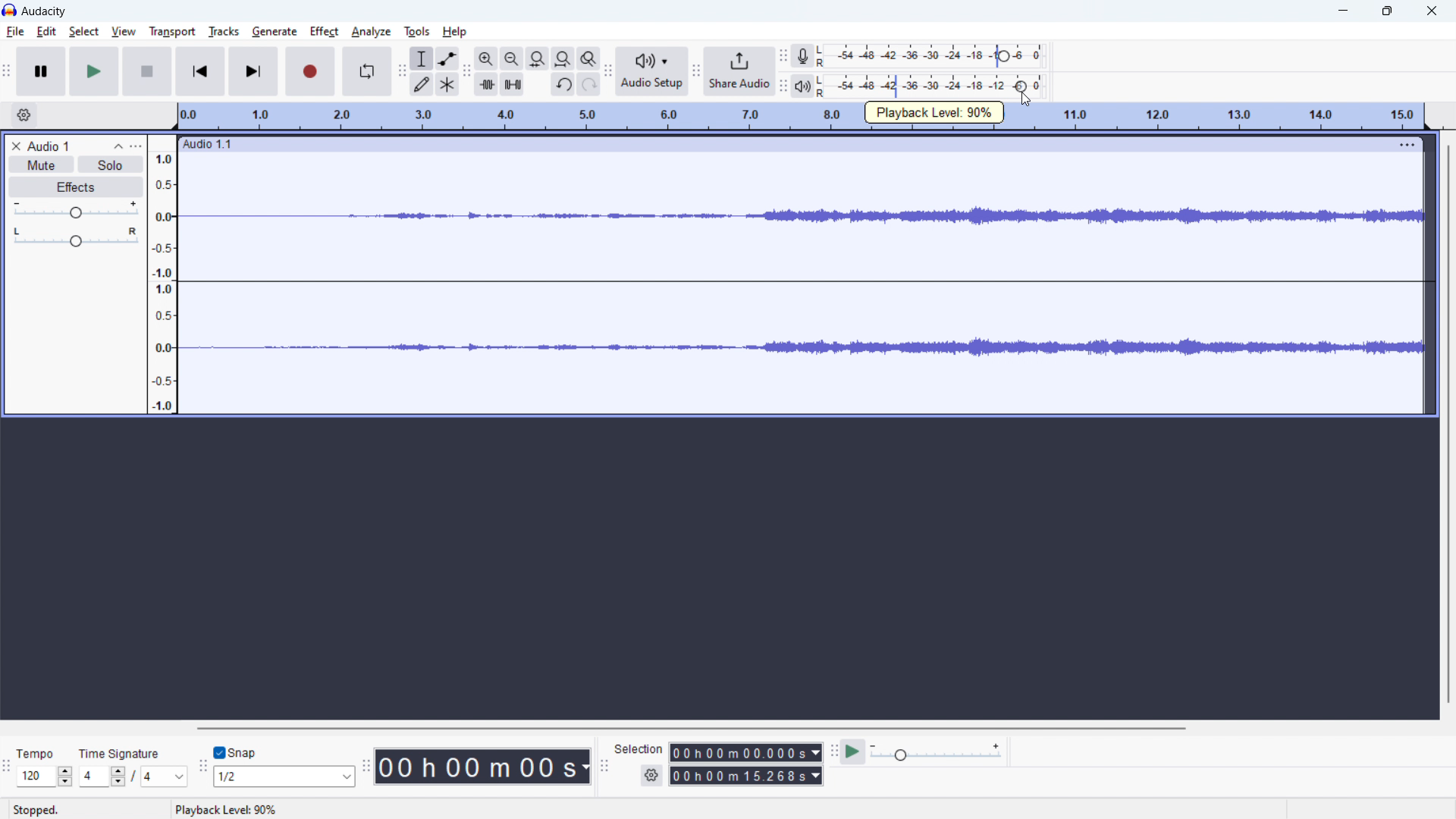 The image size is (1456, 819). What do you see at coordinates (44, 11) in the screenshot?
I see `audacity` at bounding box center [44, 11].